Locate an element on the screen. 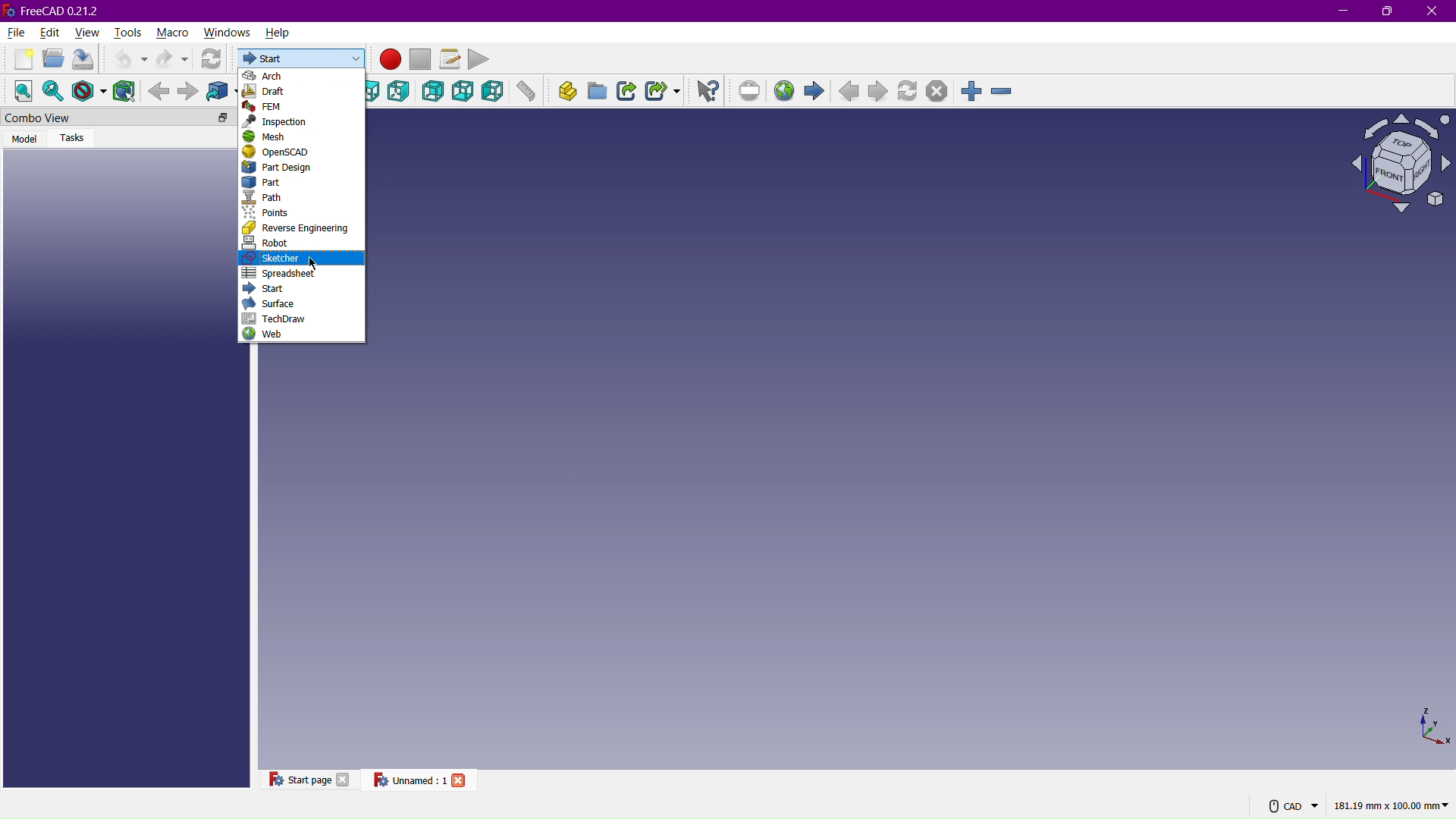 The height and width of the screenshot is (819, 1456). Refresh is located at coordinates (209, 58).